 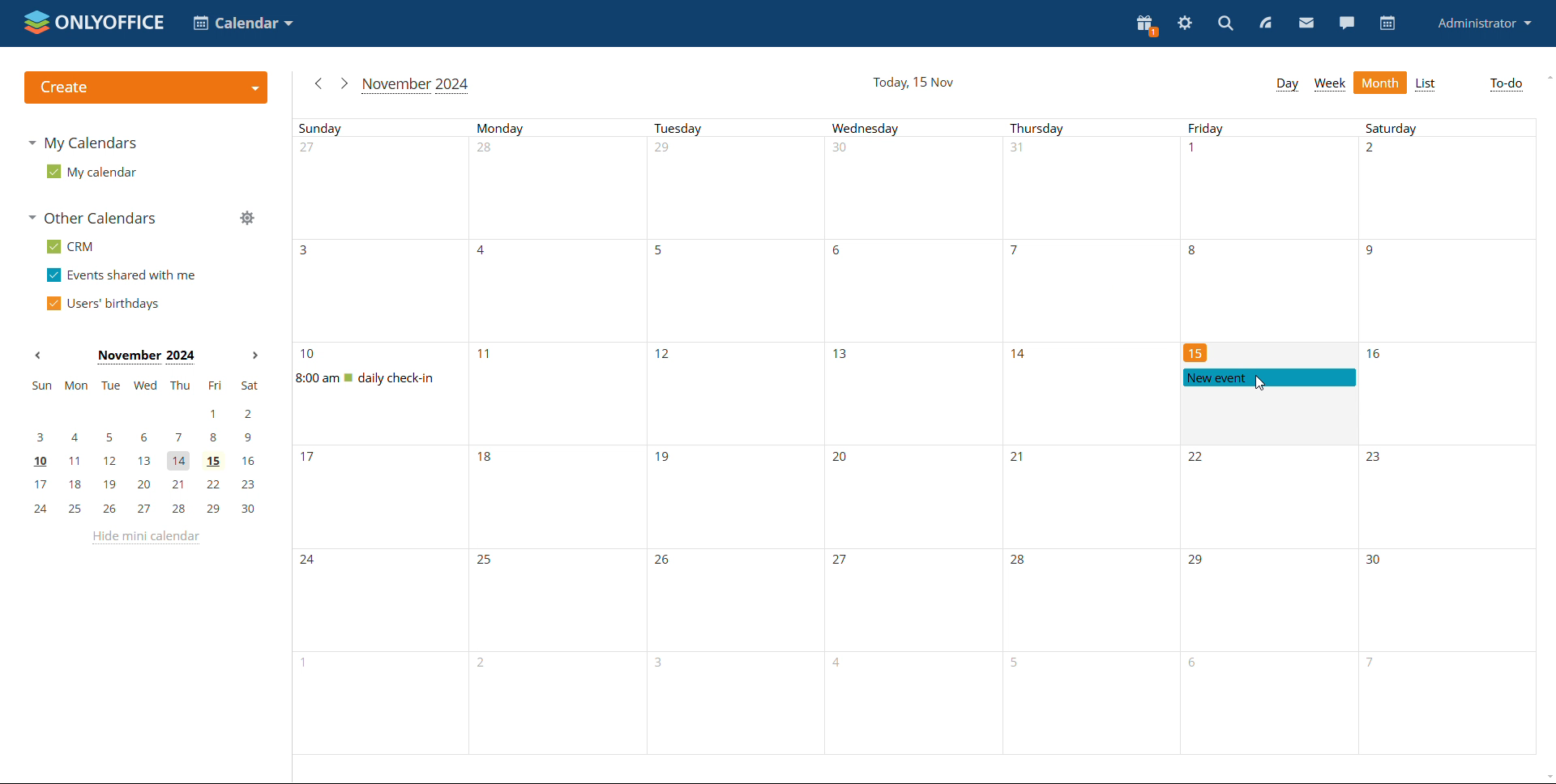 What do you see at coordinates (1380, 83) in the screenshot?
I see `month view` at bounding box center [1380, 83].